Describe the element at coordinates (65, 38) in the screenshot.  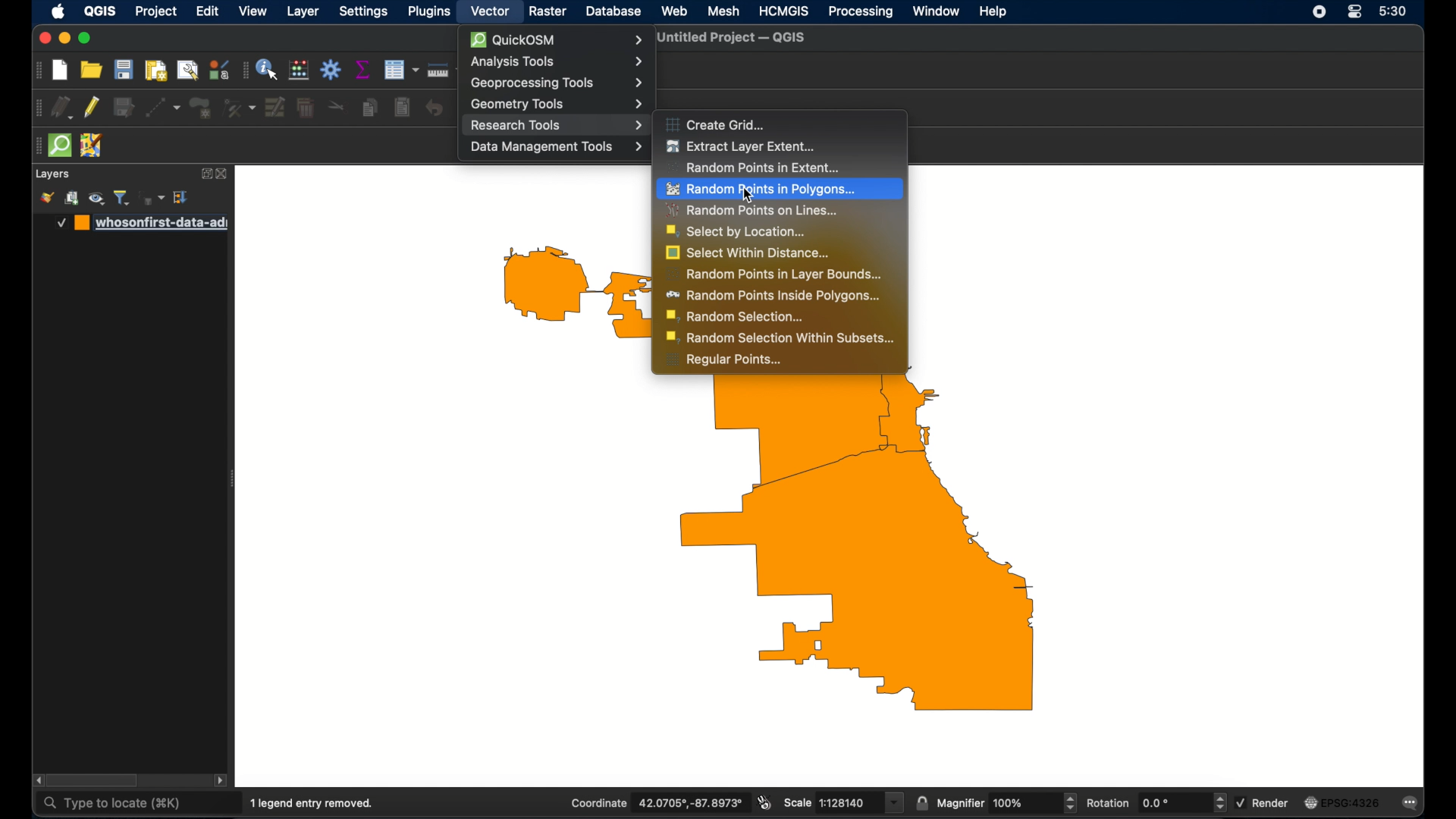
I see `minimize` at that location.